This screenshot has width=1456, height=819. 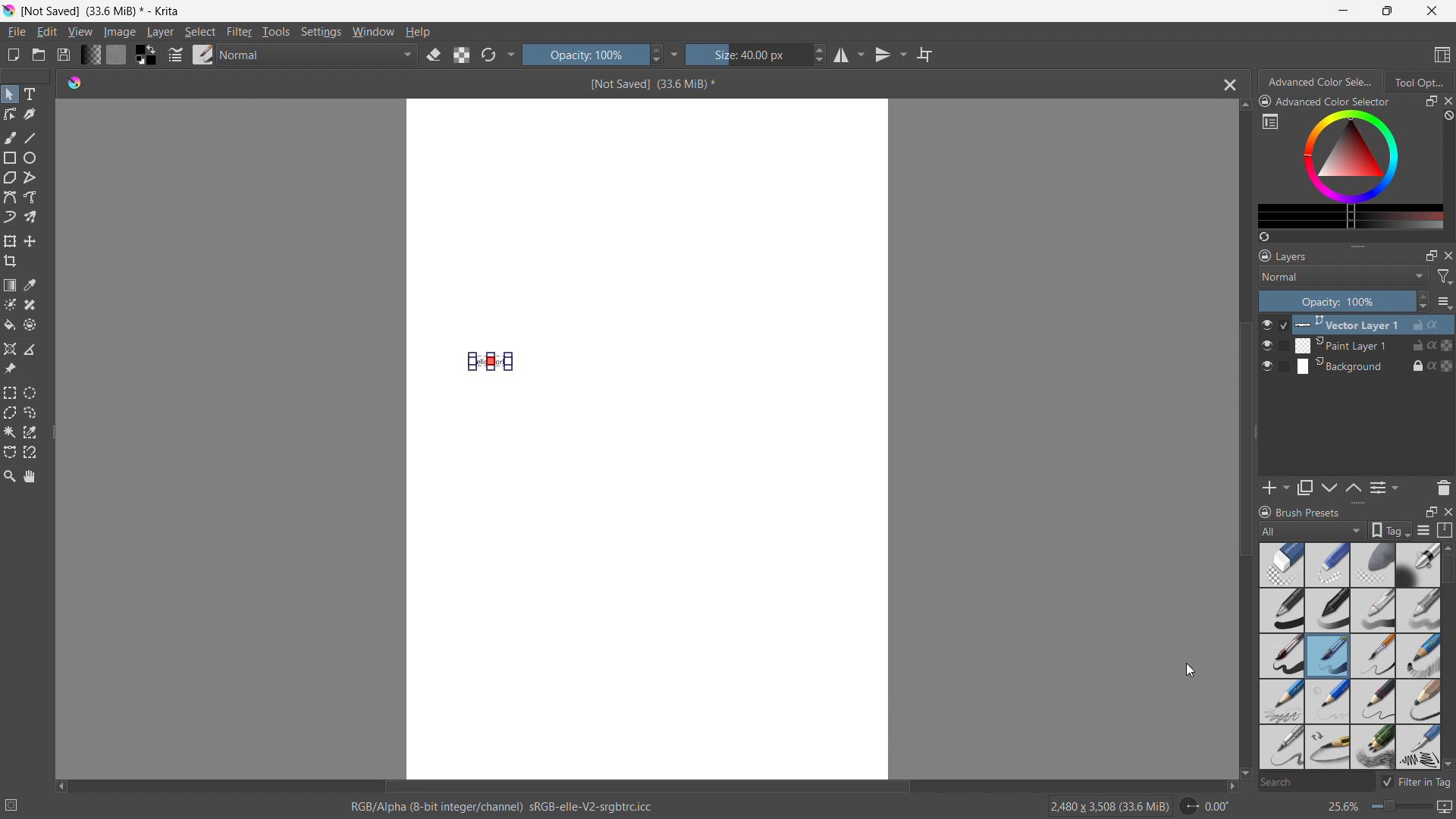 I want to click on no selection, so click(x=18, y=802).